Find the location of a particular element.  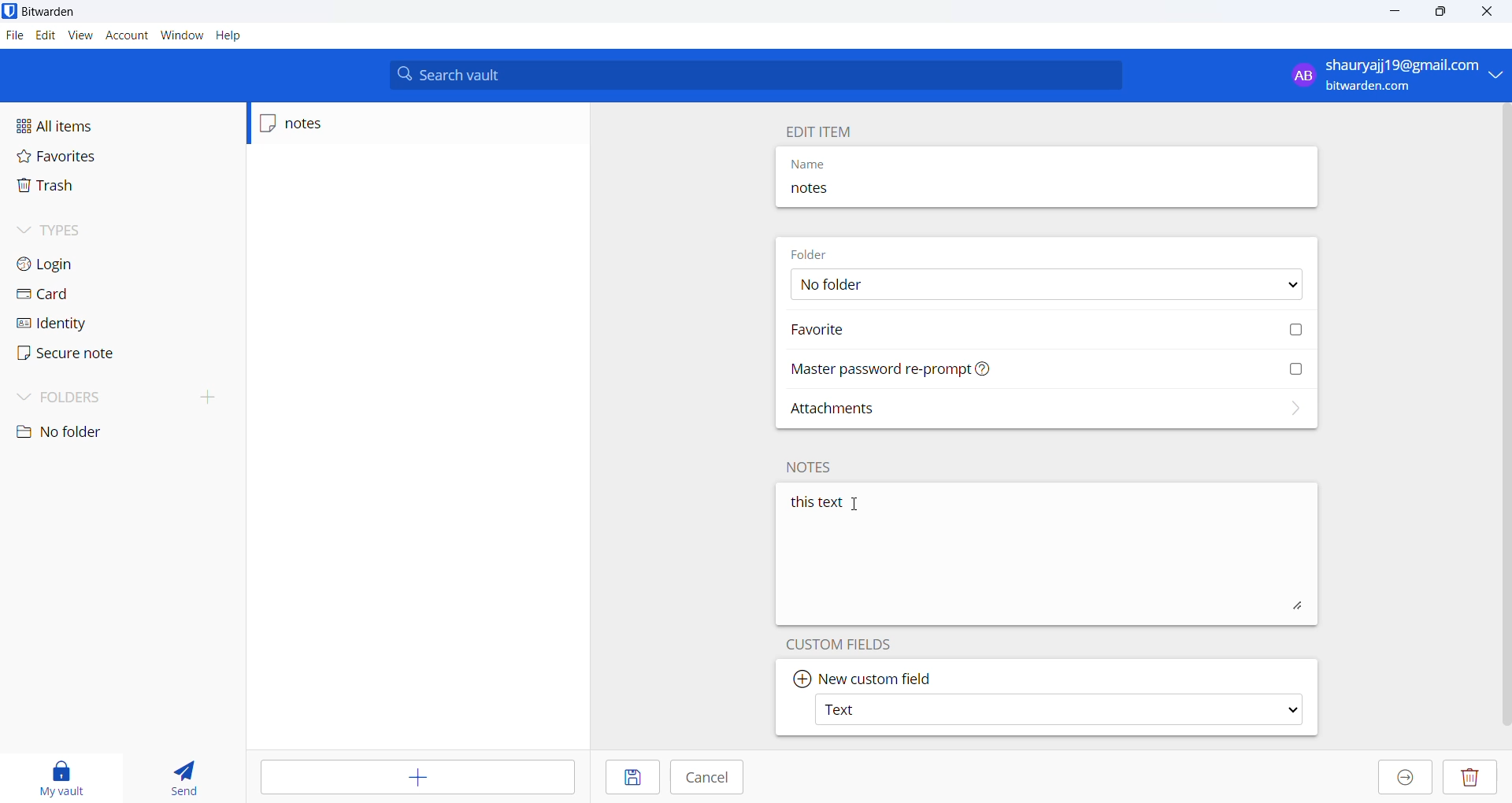

bitwarden is located at coordinates (46, 11).